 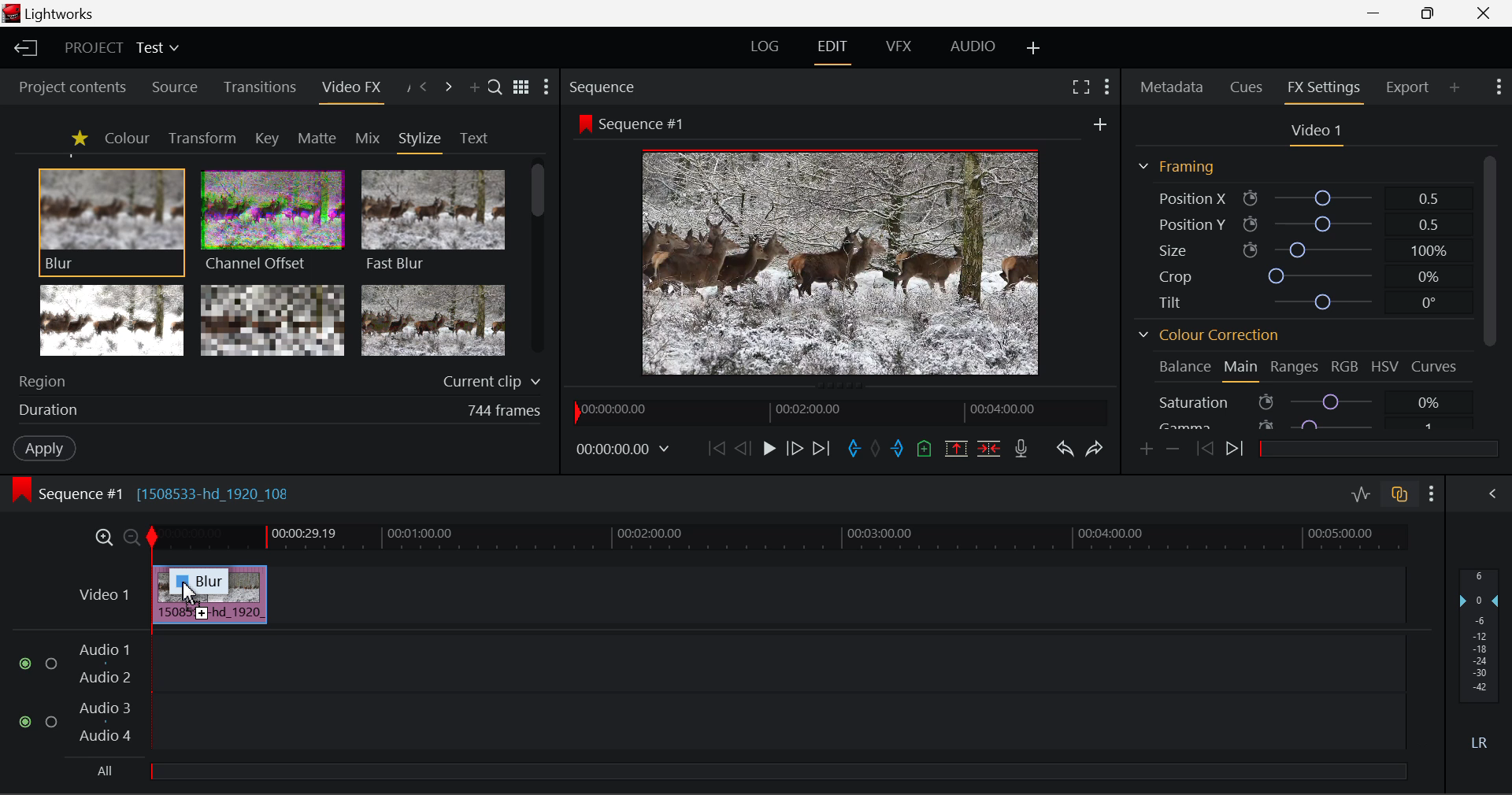 I want to click on Sequence #1 Edit Timeline, so click(x=157, y=492).